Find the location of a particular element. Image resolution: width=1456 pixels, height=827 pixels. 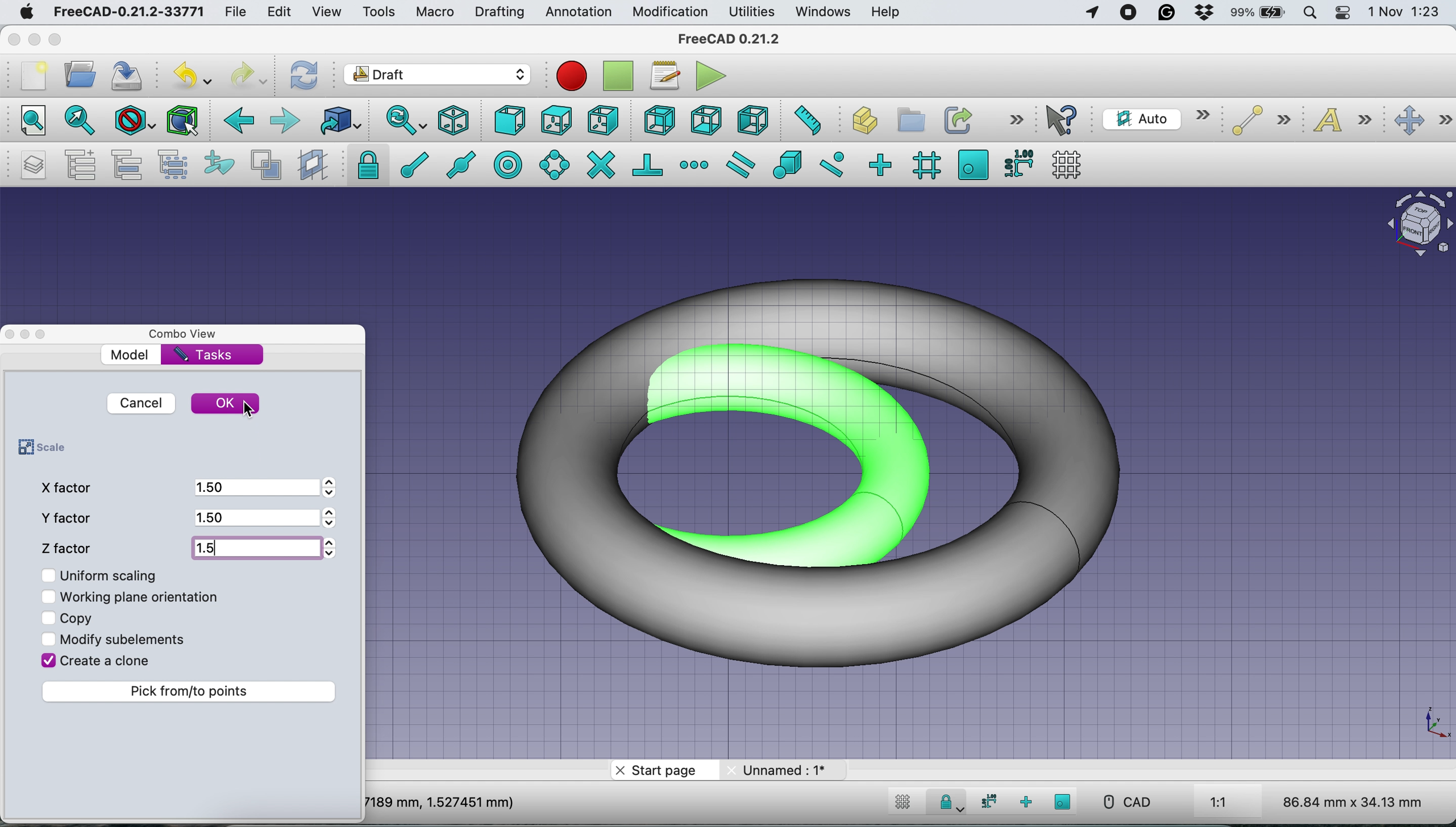

Arrows is located at coordinates (334, 519).